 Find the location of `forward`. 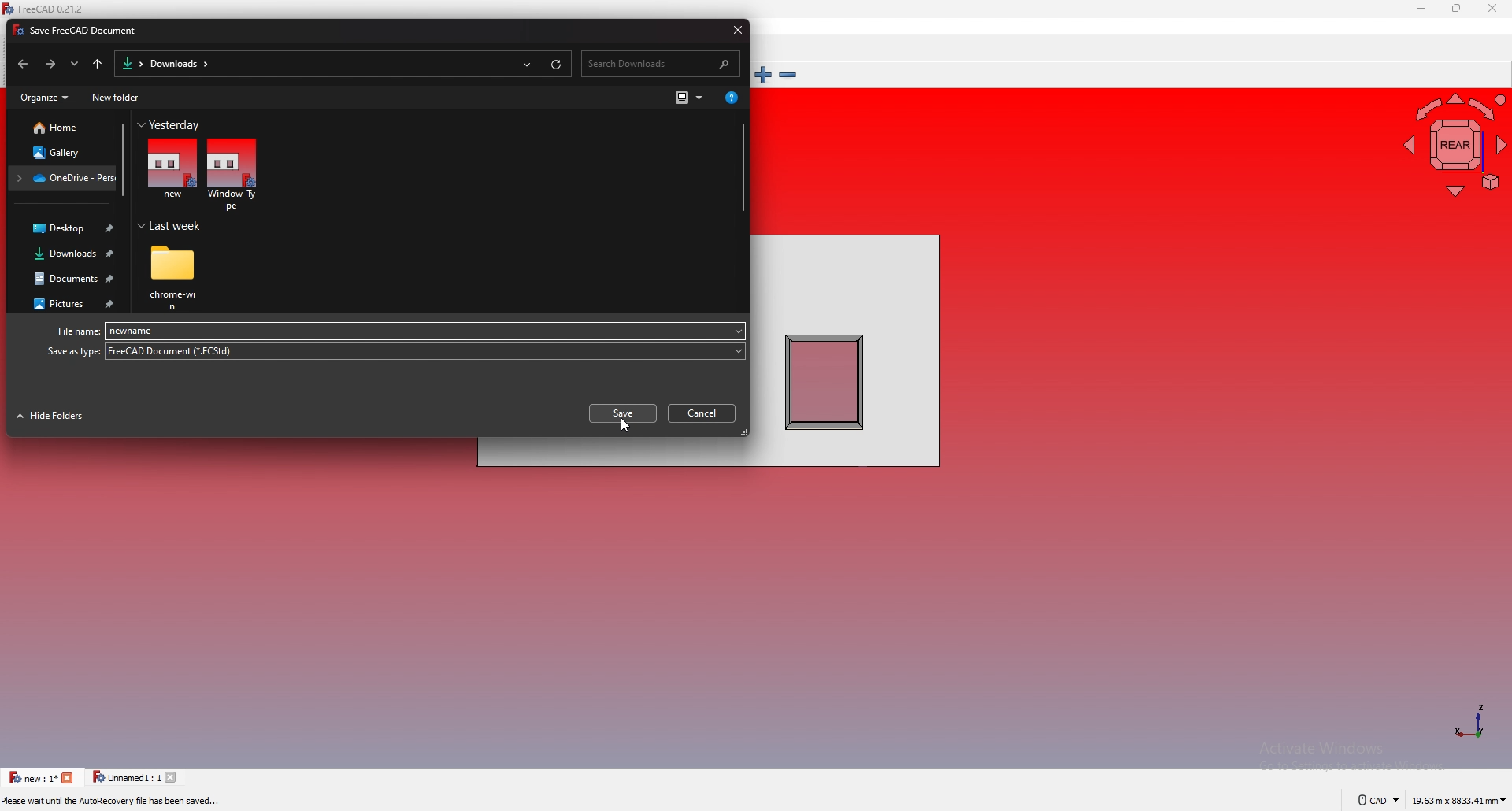

forward is located at coordinates (50, 63).